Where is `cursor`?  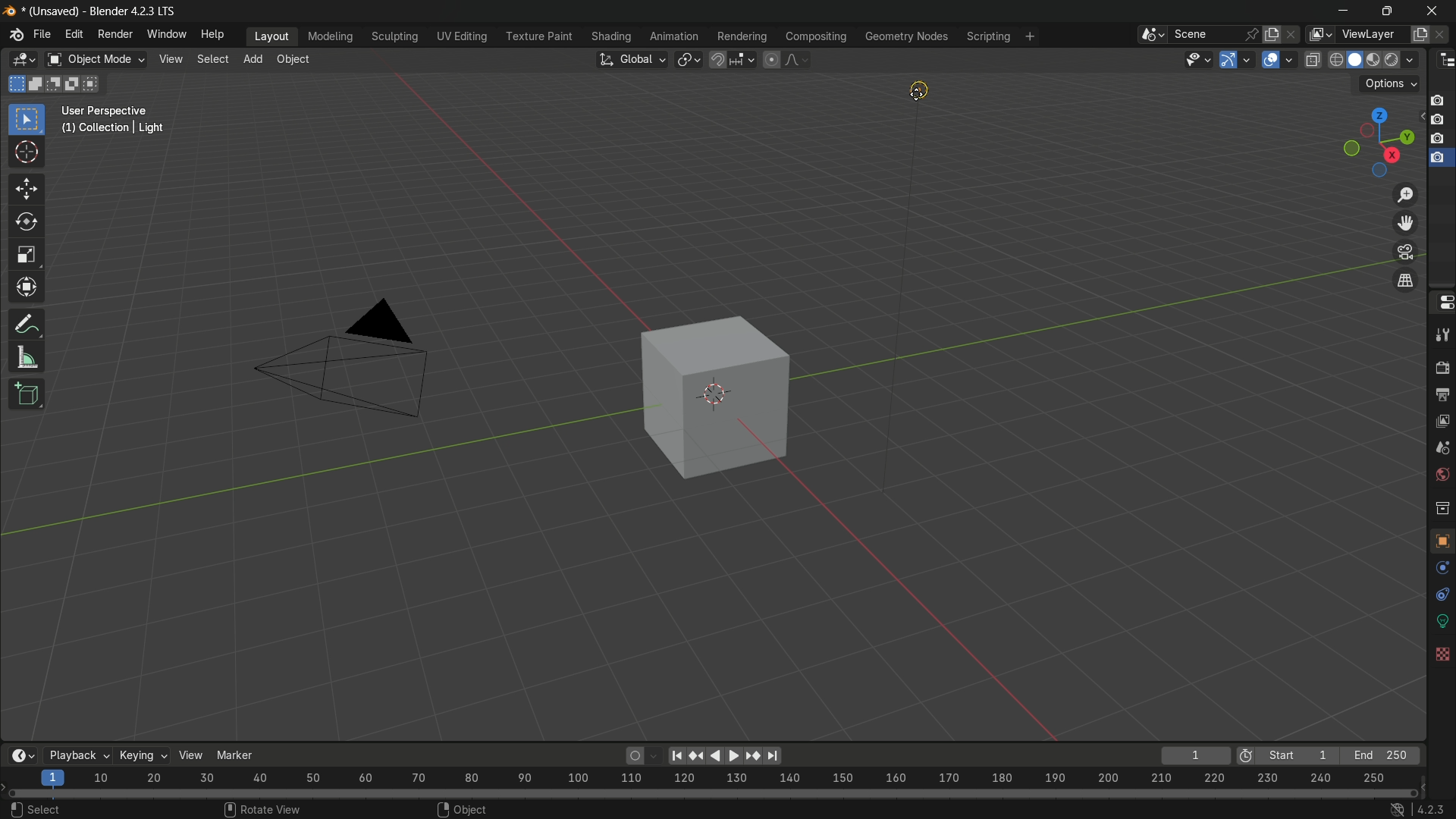
cursor is located at coordinates (915, 96).